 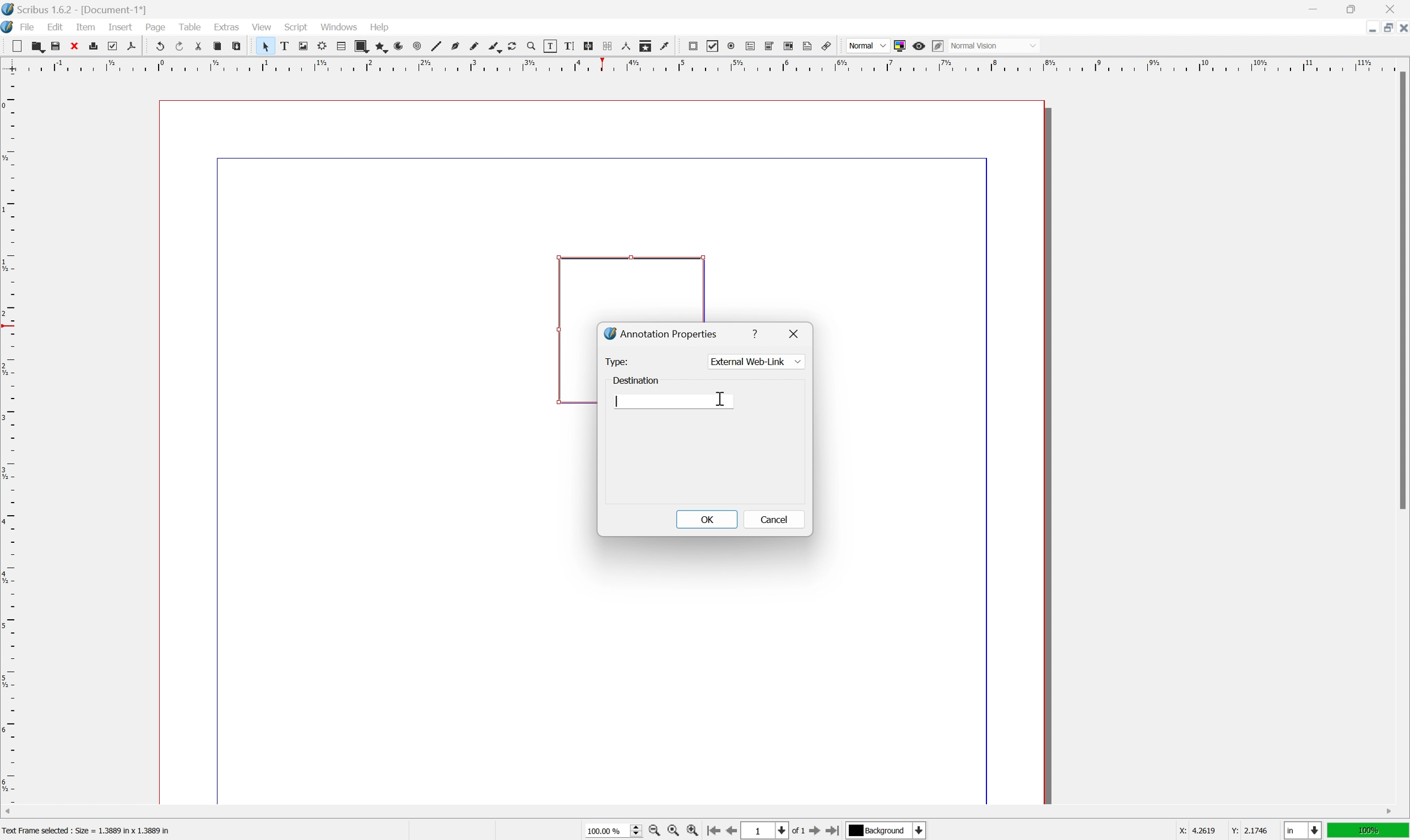 I want to click on help, so click(x=757, y=333).